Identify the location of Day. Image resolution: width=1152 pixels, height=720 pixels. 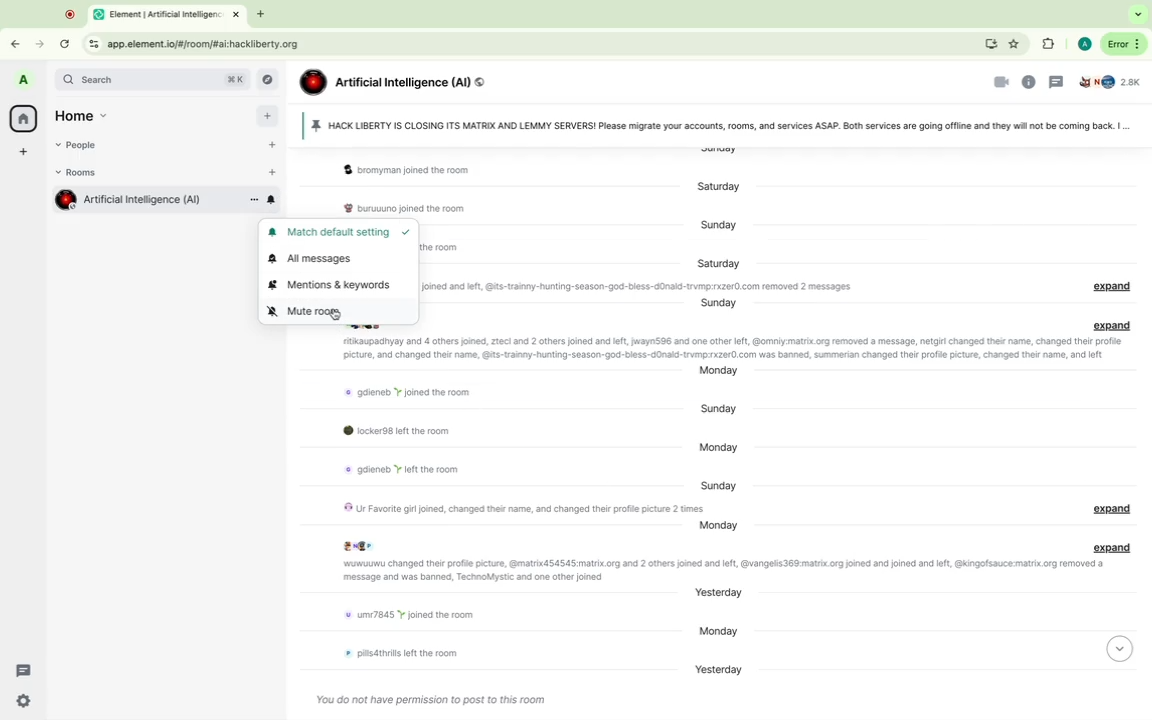
(721, 261).